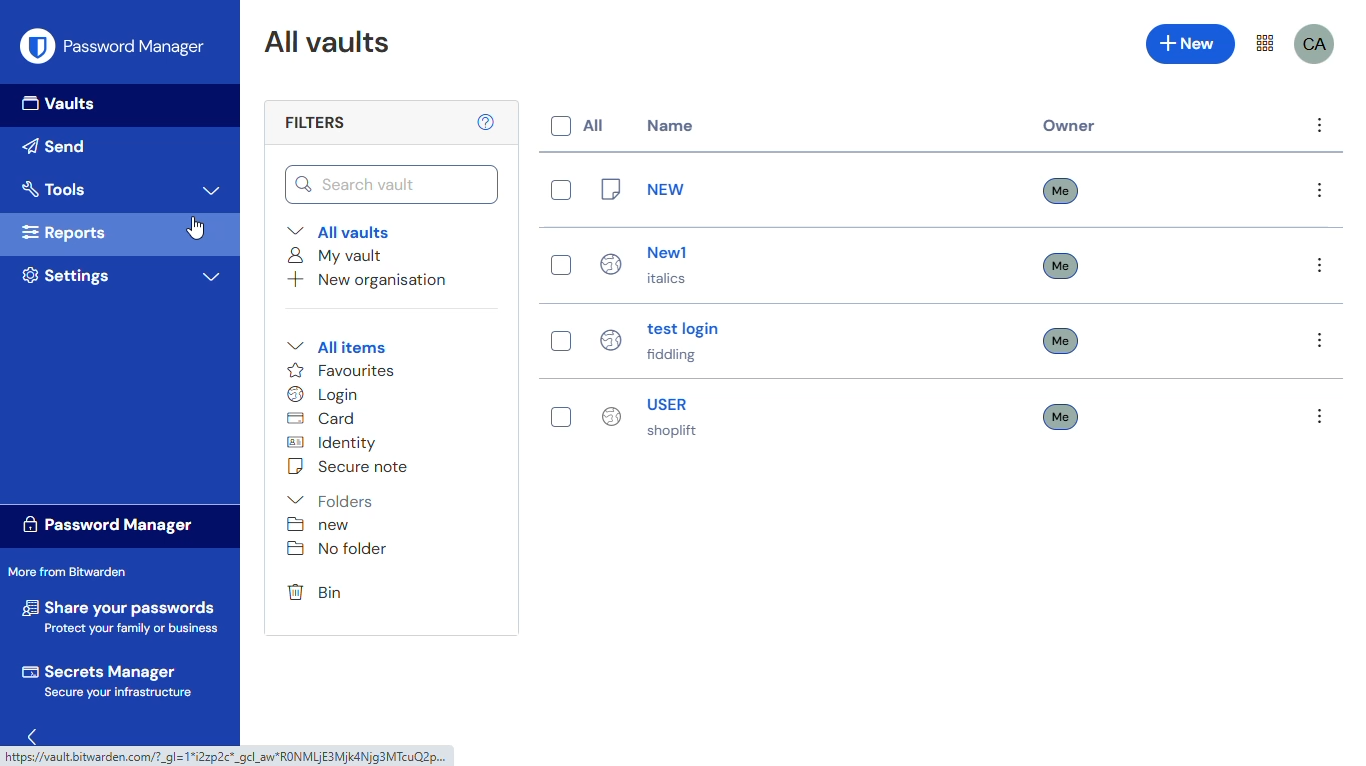 This screenshot has height=766, width=1366. Describe the element at coordinates (651, 417) in the screenshot. I see `user shoplift` at that location.